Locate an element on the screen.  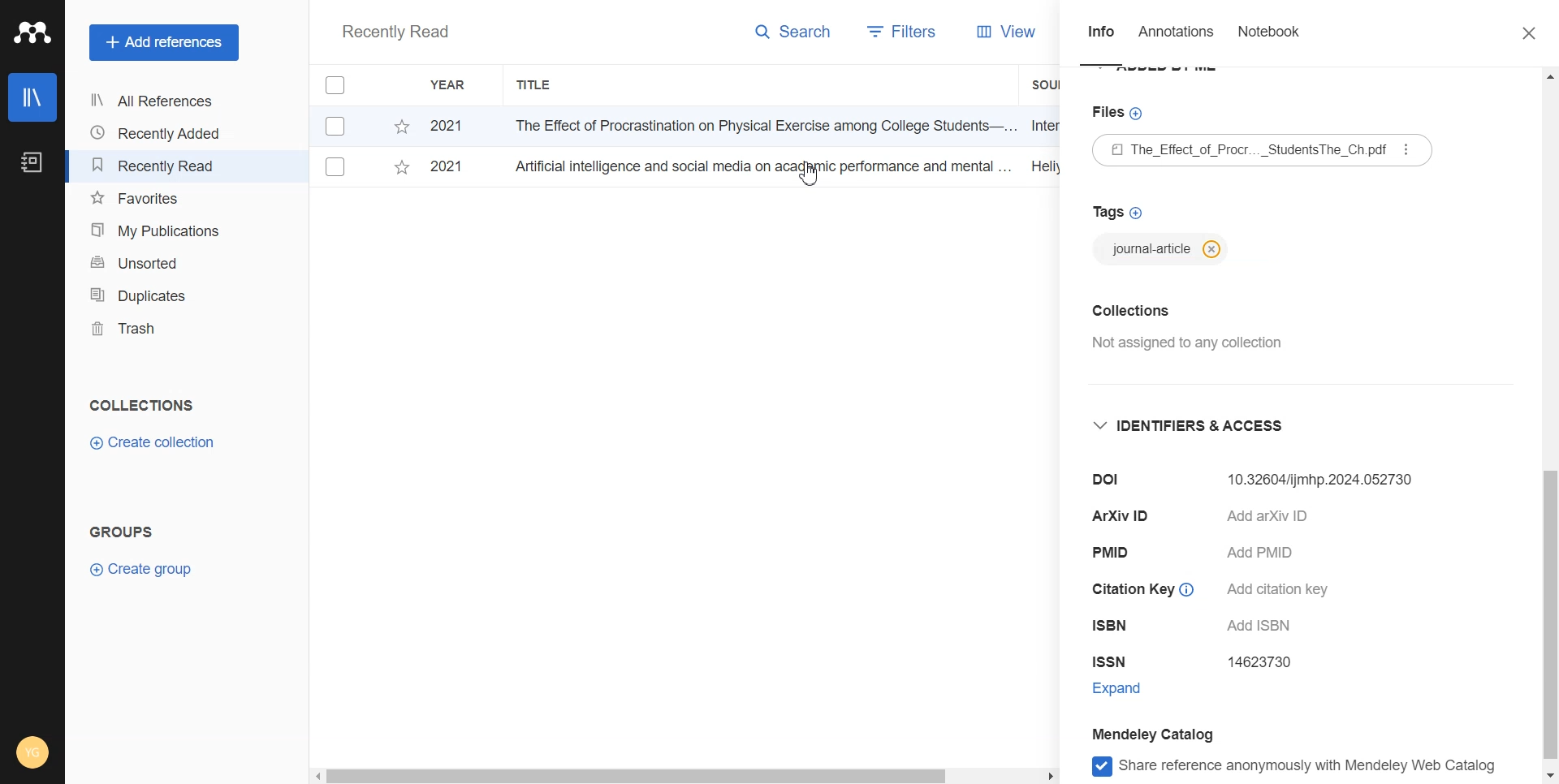
Checkbox is located at coordinates (339, 125).